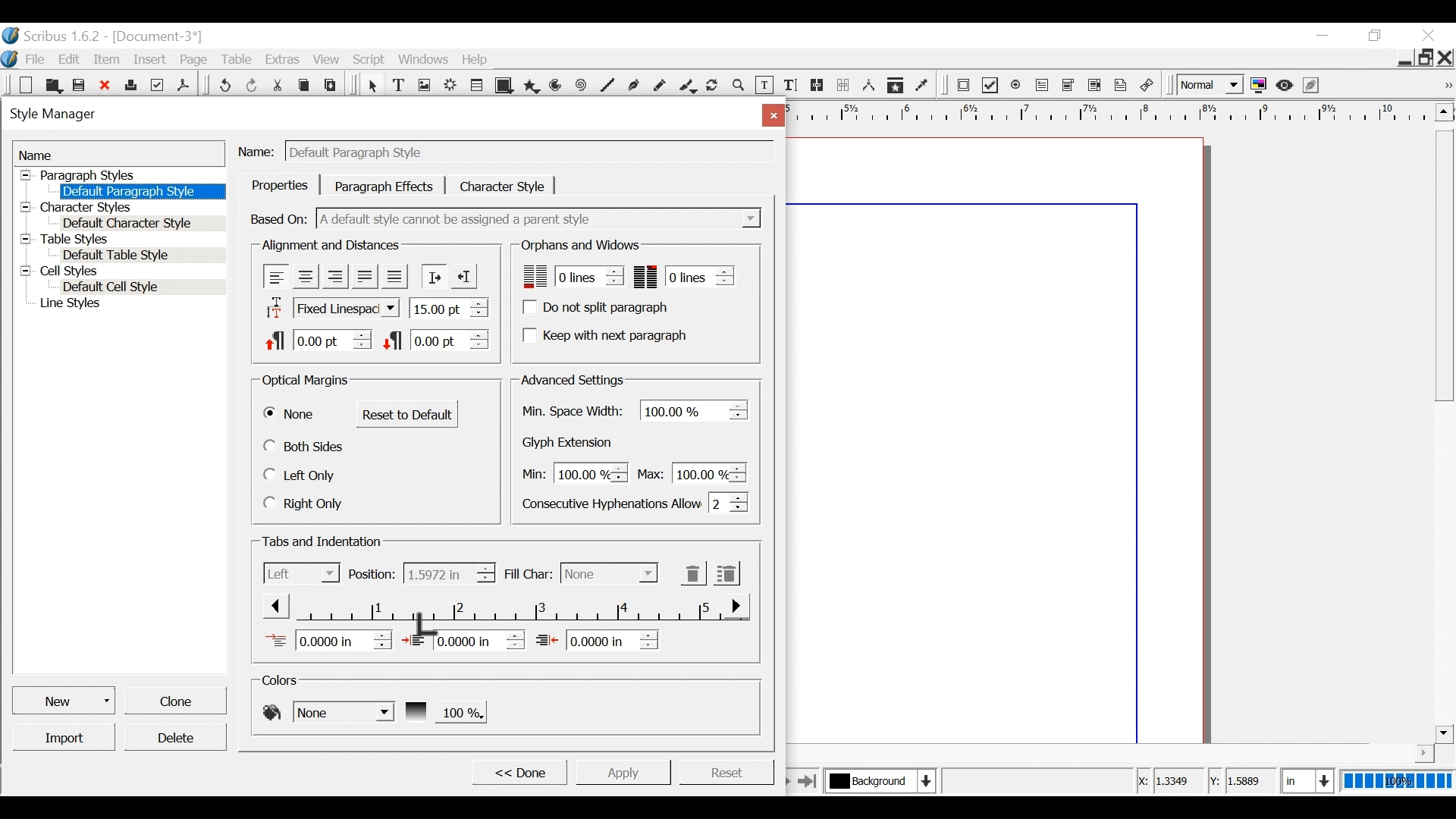  I want to click on File, so click(35, 59).